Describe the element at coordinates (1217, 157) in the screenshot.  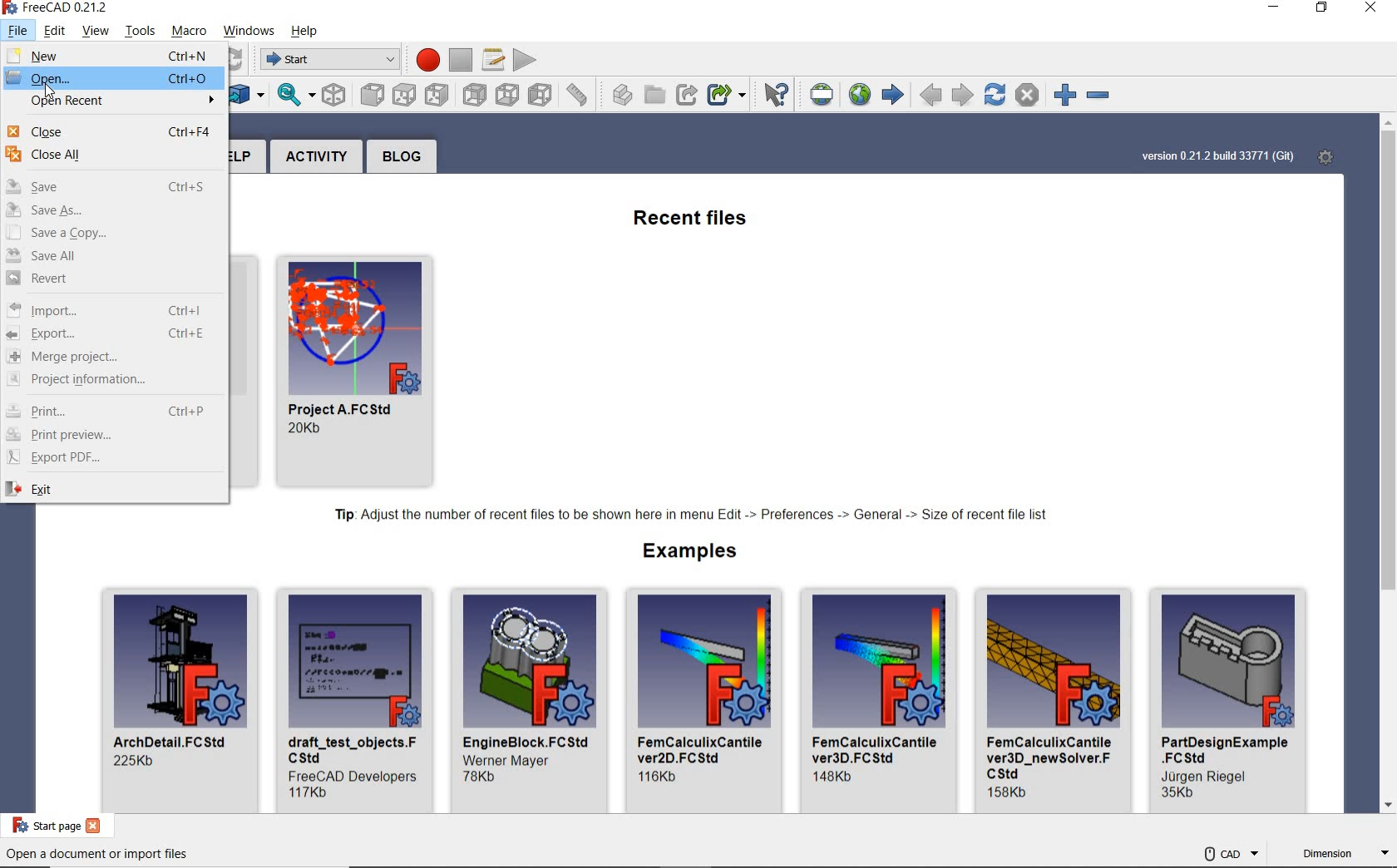
I see `SYSTEM VERSION` at that location.